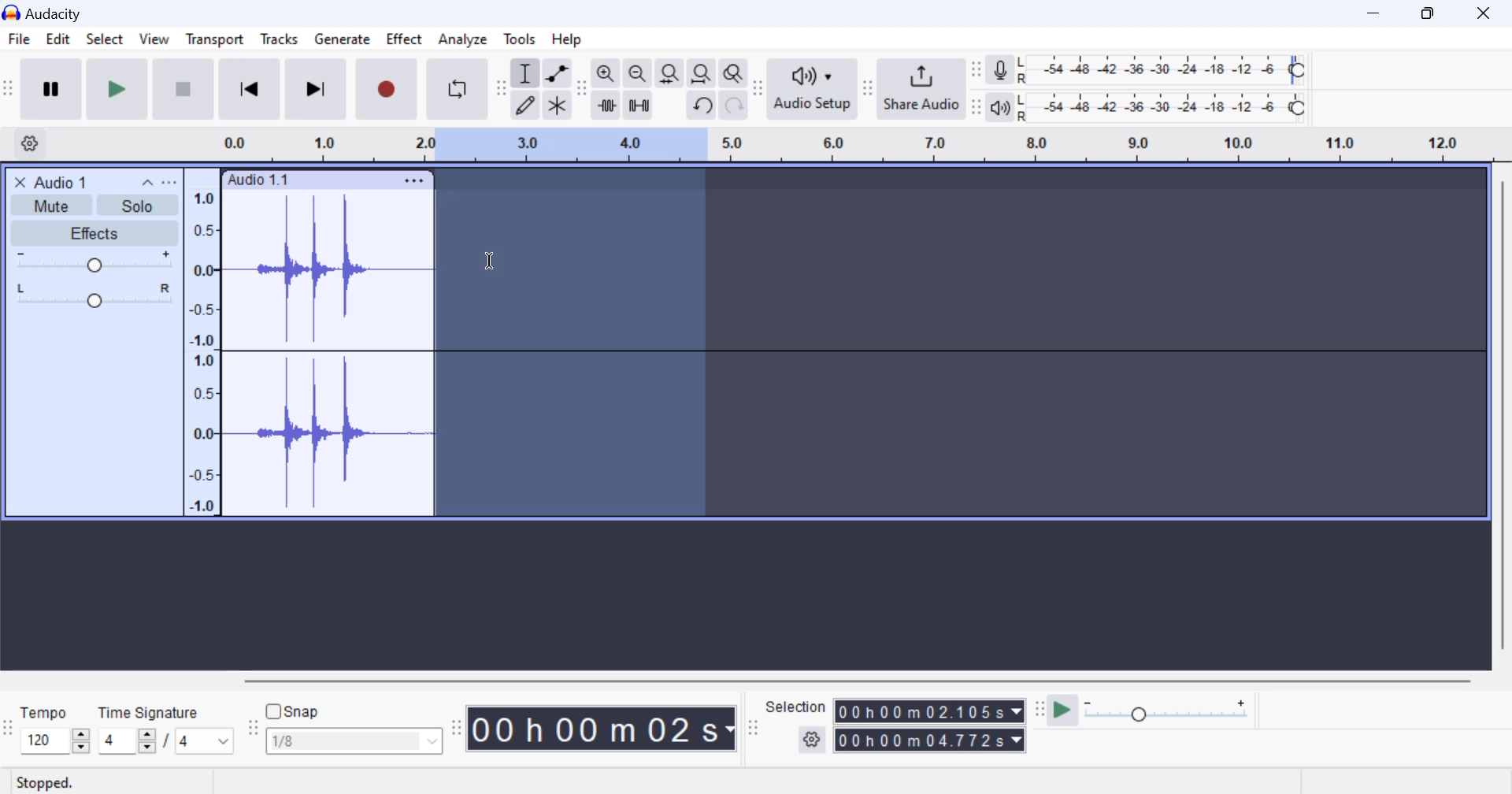 This screenshot has width=1512, height=794. Describe the element at coordinates (491, 264) in the screenshot. I see `Cursor` at that location.